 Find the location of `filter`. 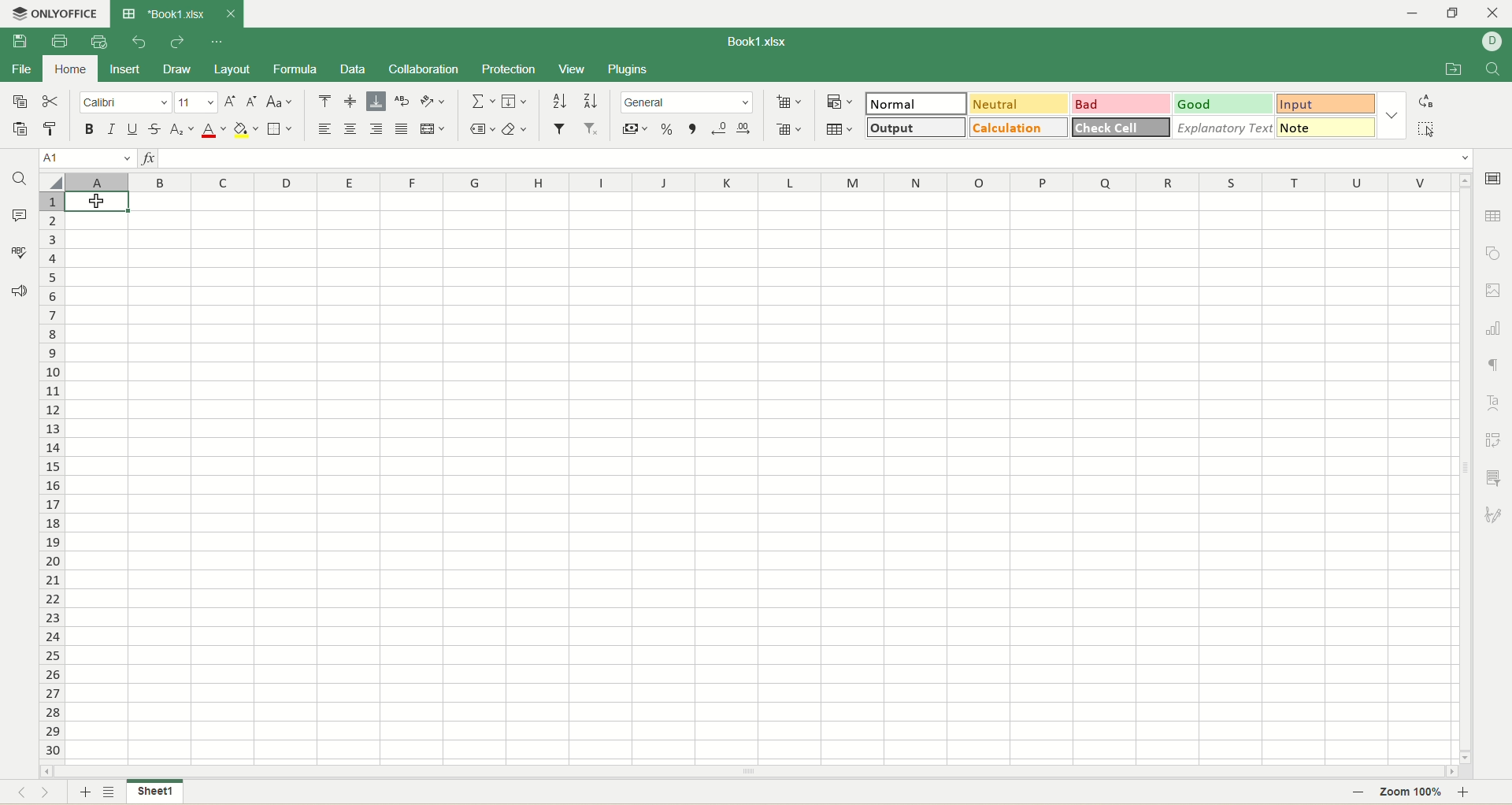

filter is located at coordinates (559, 128).